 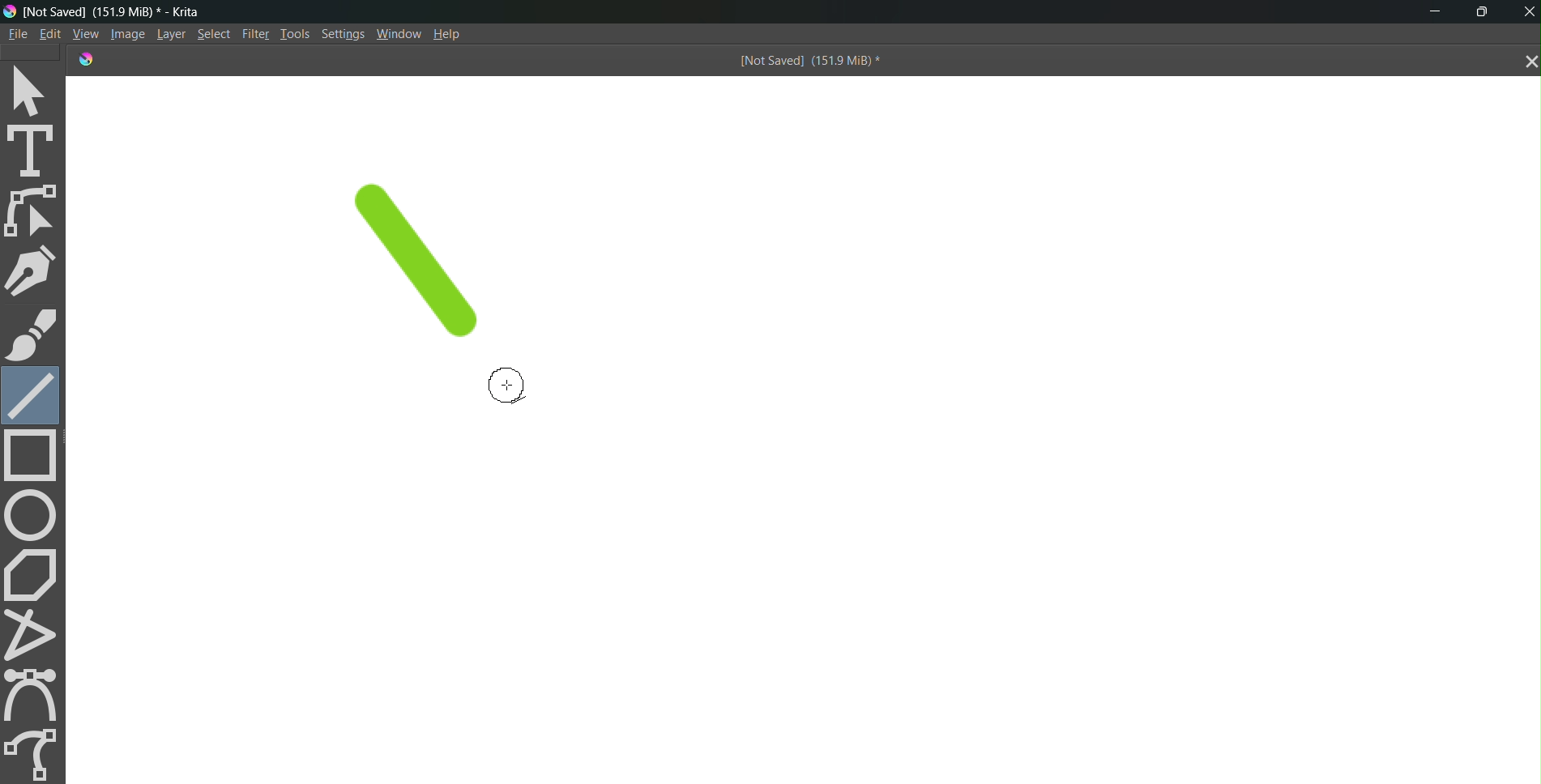 What do you see at coordinates (50, 34) in the screenshot?
I see `Edit` at bounding box center [50, 34].